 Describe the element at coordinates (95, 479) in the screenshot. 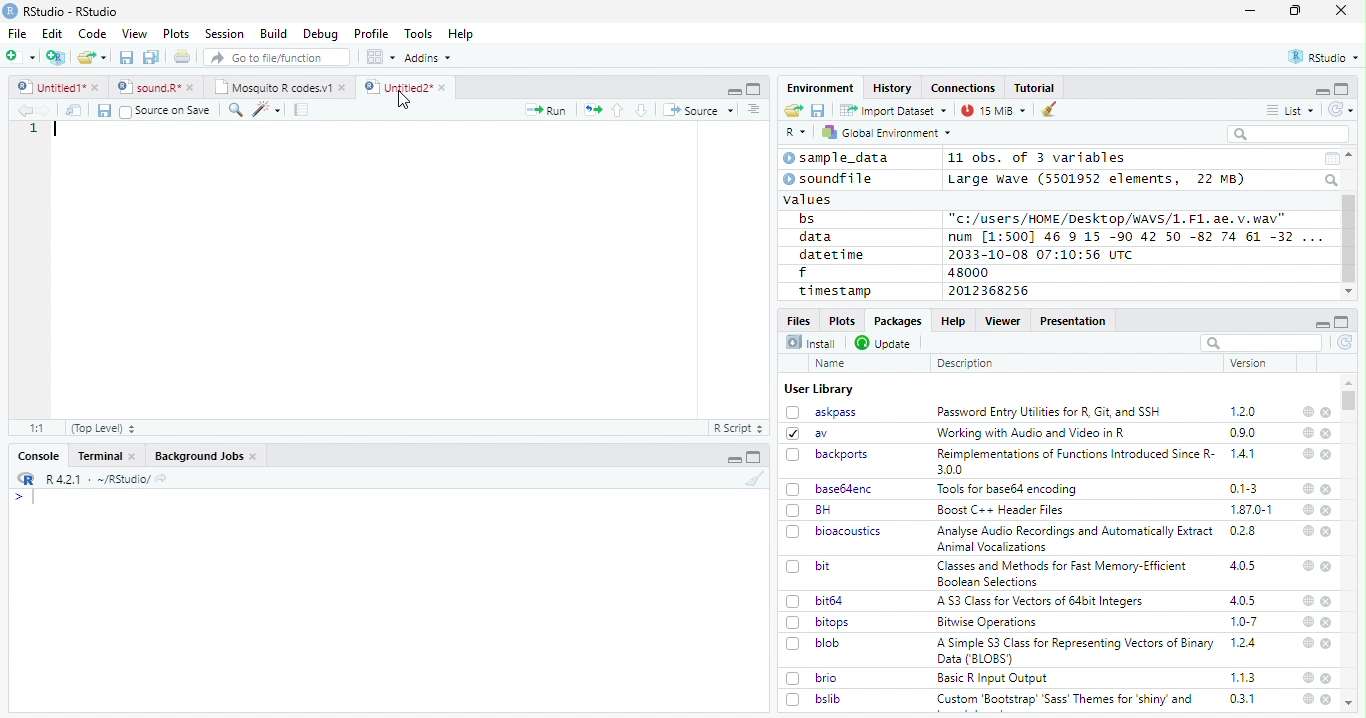

I see `R 4.2.1 - ~/RStudio/` at that location.